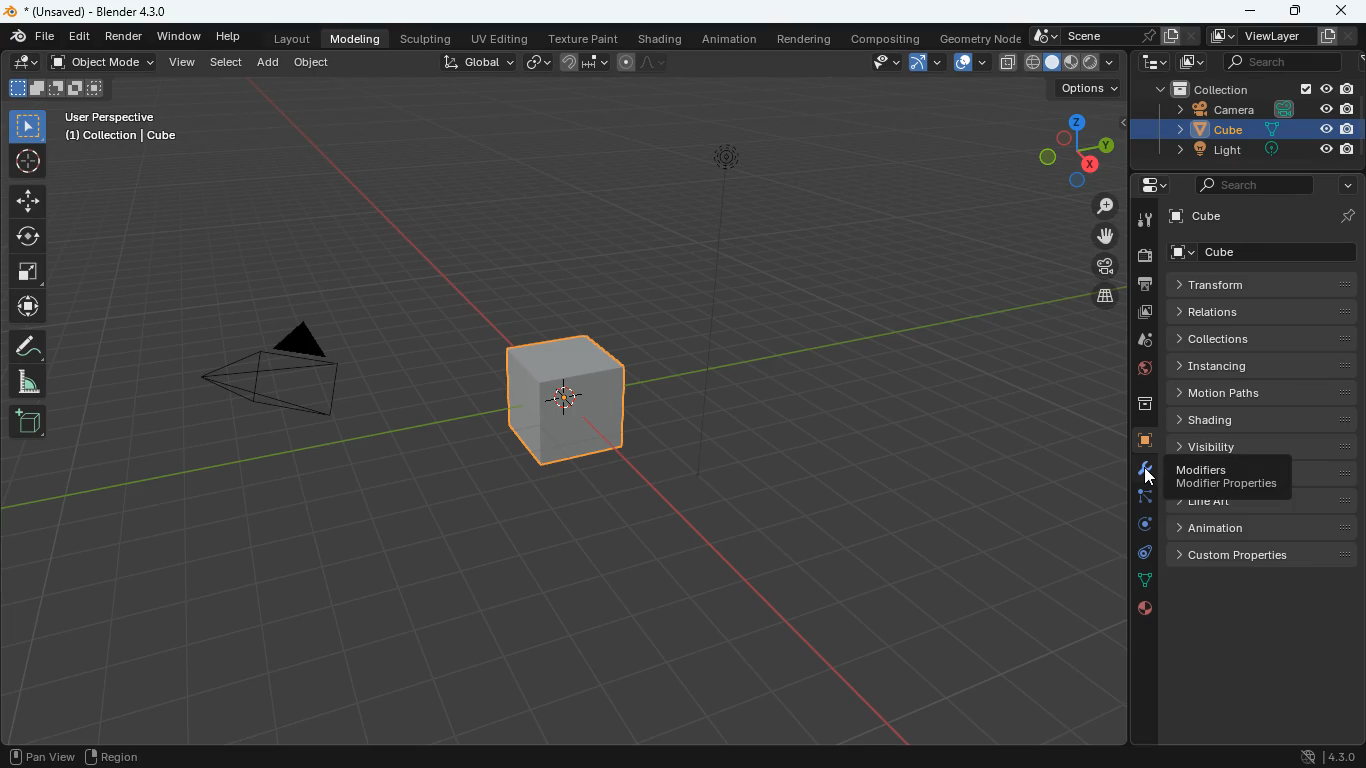 This screenshot has width=1366, height=768. Describe the element at coordinates (29, 201) in the screenshot. I see `move` at that location.